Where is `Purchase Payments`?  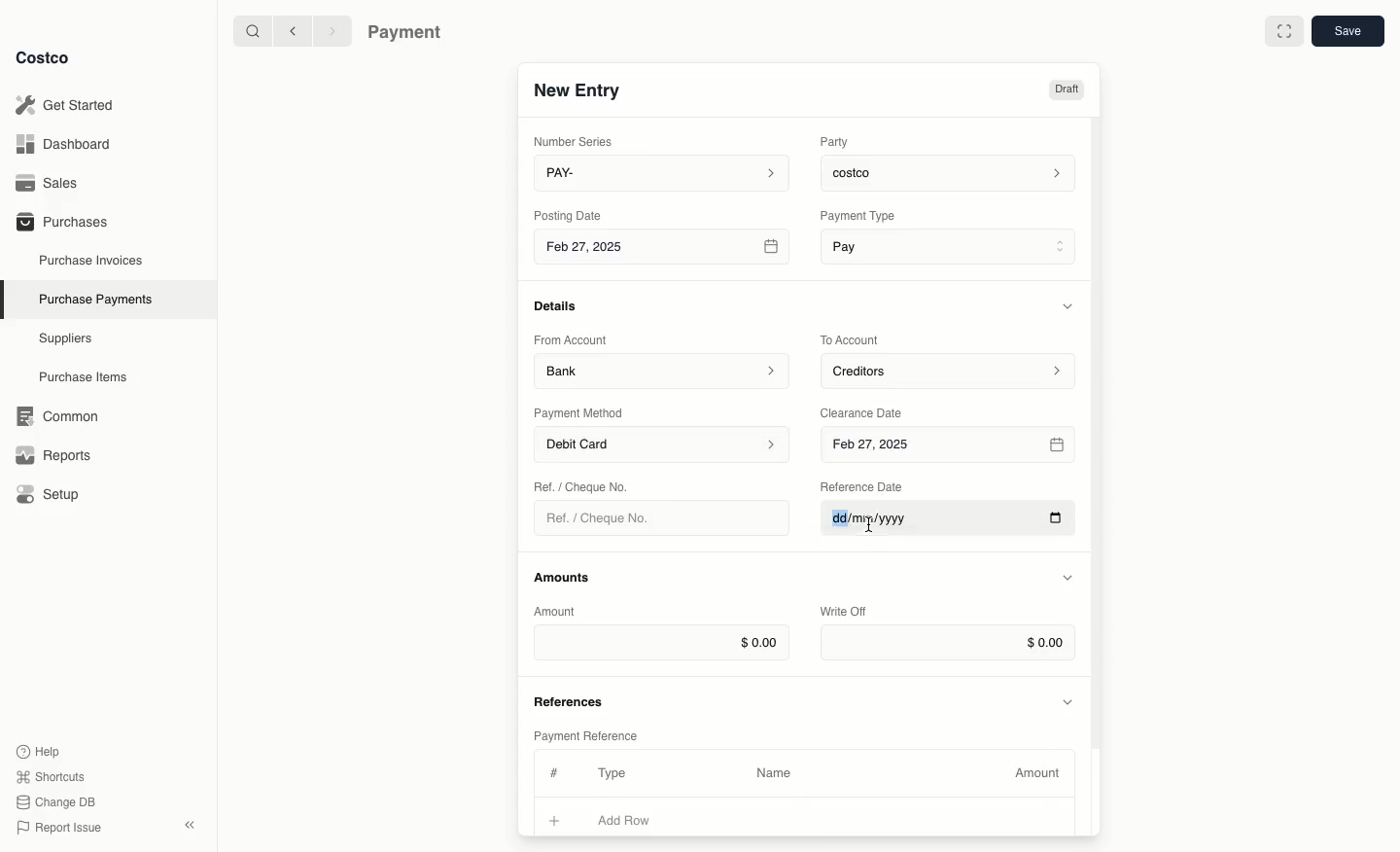
Purchase Payments is located at coordinates (94, 298).